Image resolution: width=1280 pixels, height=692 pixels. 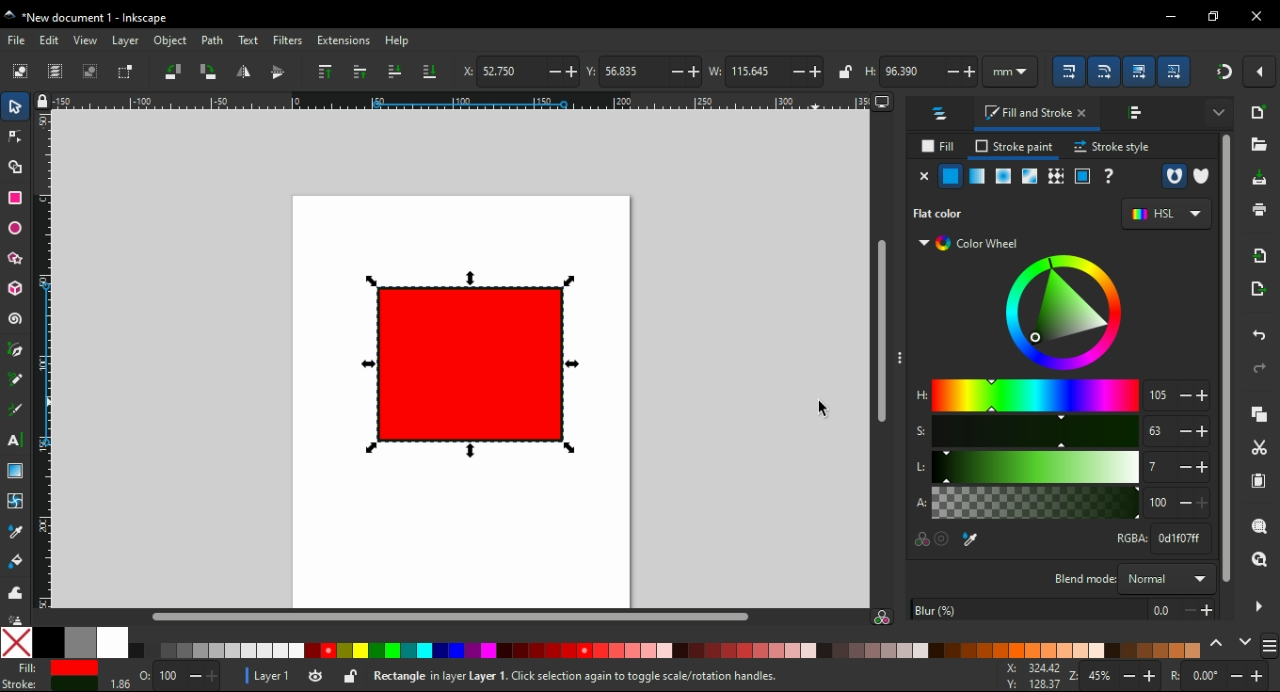 I want to click on open export, so click(x=1257, y=289).